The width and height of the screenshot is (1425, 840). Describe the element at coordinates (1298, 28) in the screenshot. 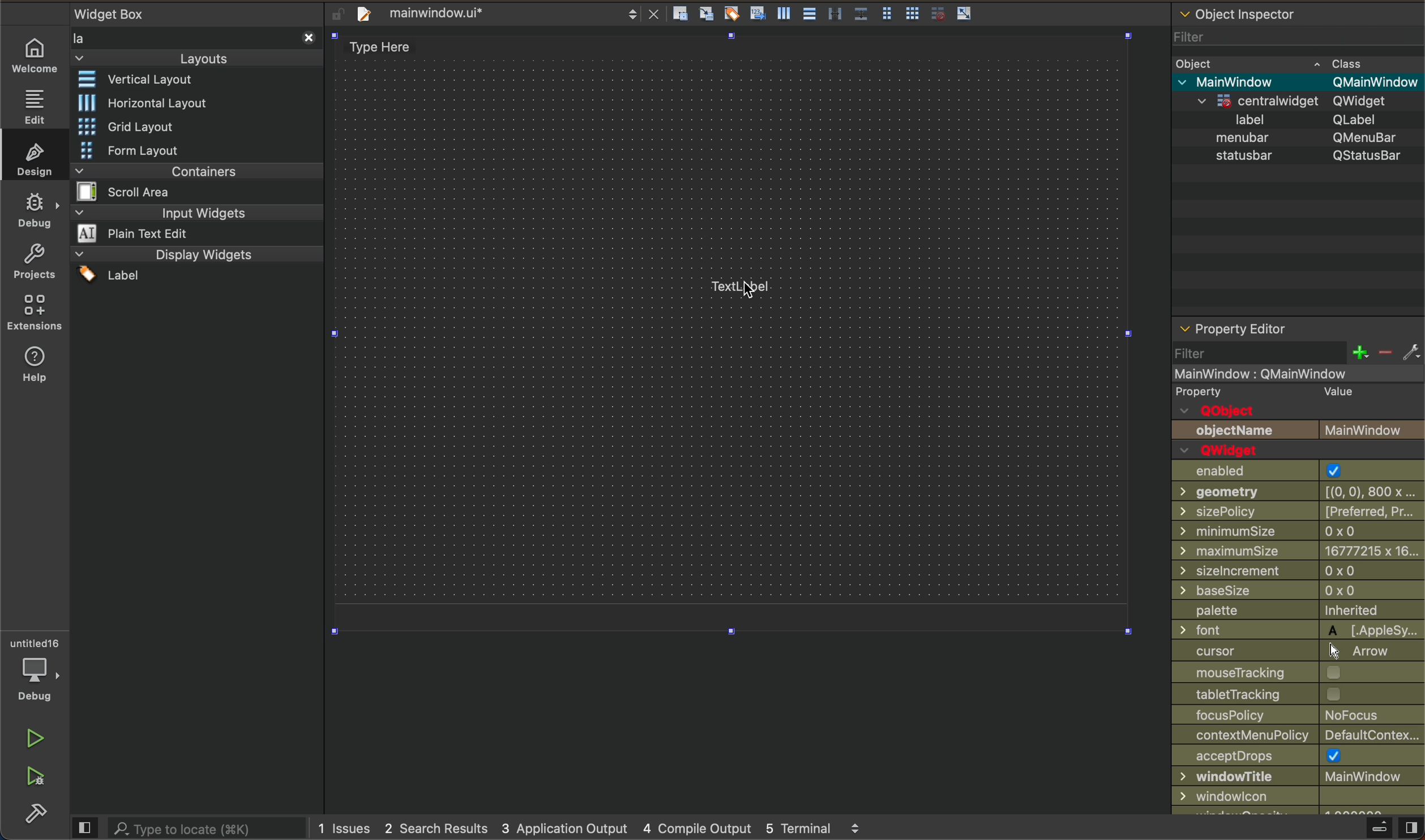

I see `object inspector` at that location.